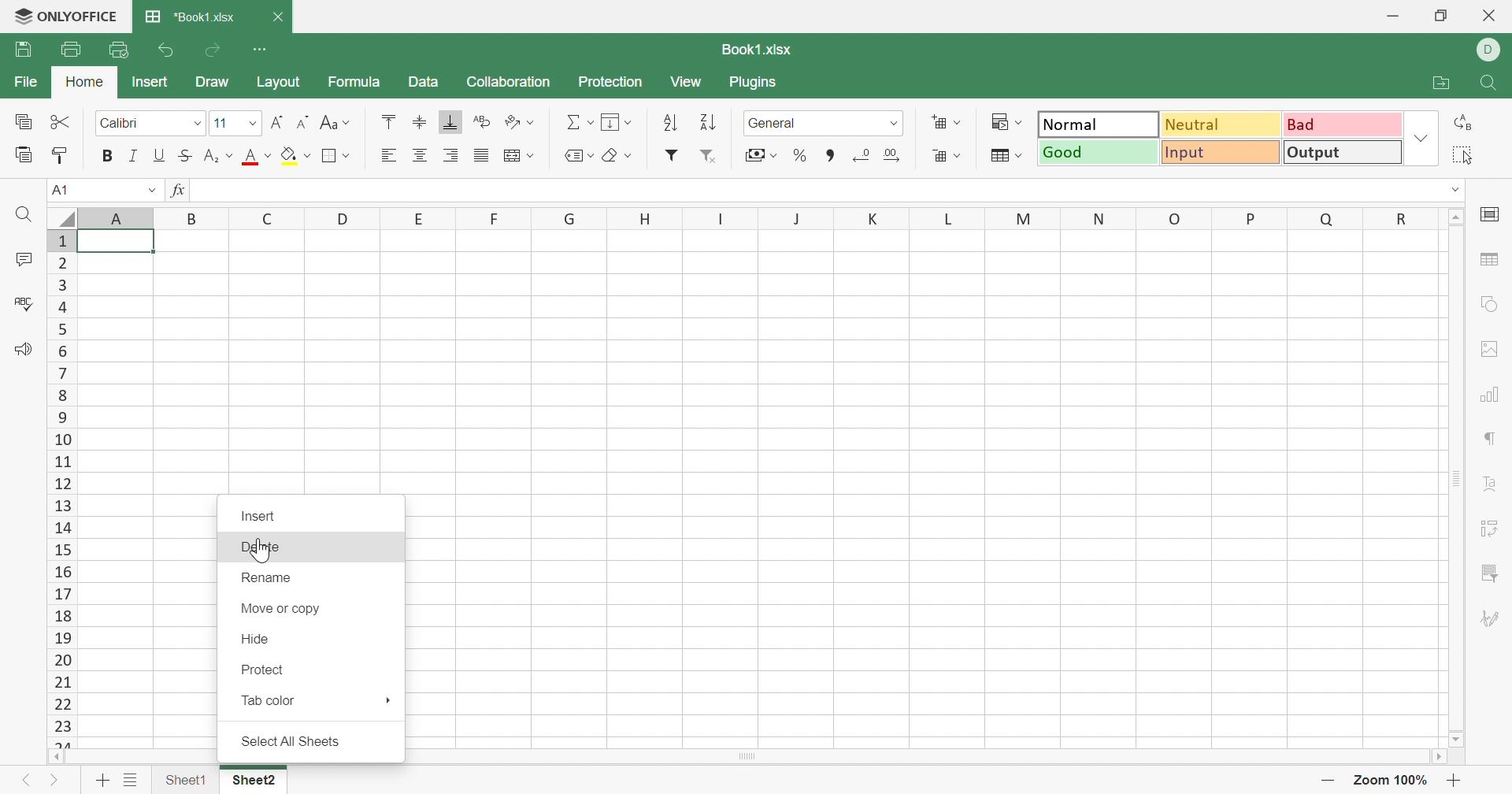 The image size is (1512, 794). What do you see at coordinates (1097, 151) in the screenshot?
I see `Good` at bounding box center [1097, 151].